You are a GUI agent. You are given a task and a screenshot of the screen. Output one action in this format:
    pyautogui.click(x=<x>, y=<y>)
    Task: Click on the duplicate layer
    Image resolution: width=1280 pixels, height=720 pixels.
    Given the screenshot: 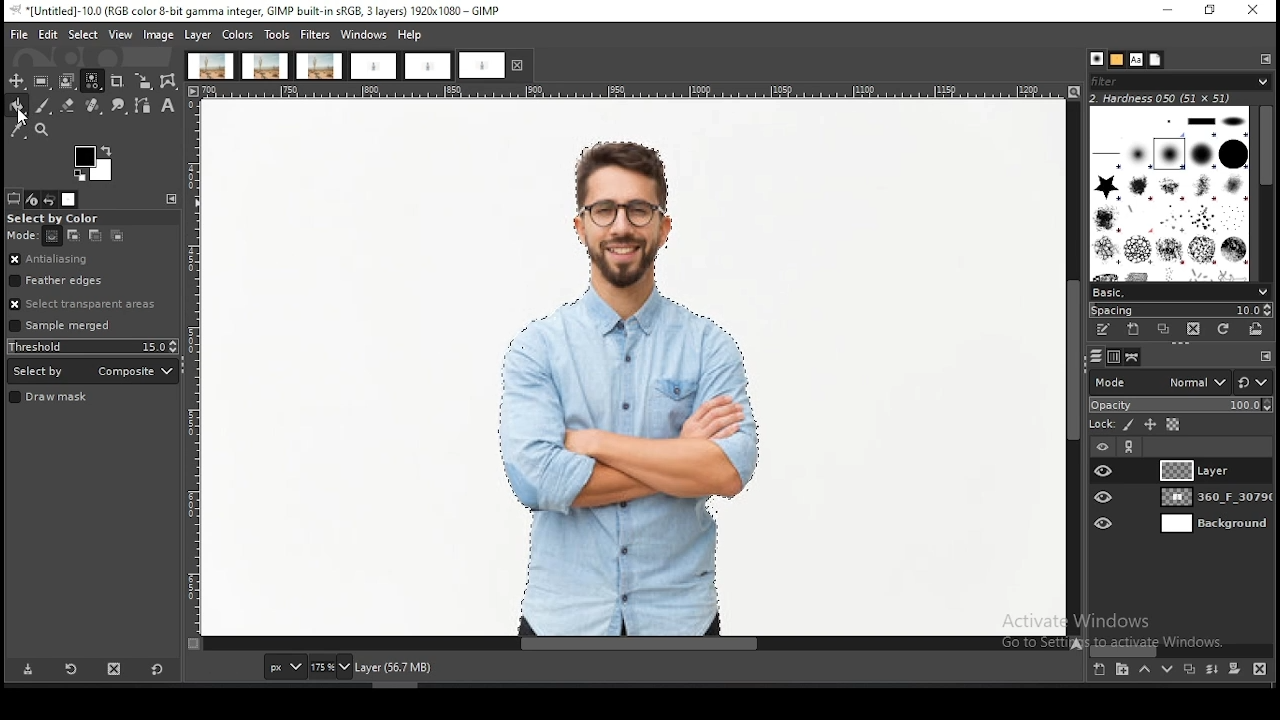 What is the action you would take?
    pyautogui.click(x=1187, y=668)
    